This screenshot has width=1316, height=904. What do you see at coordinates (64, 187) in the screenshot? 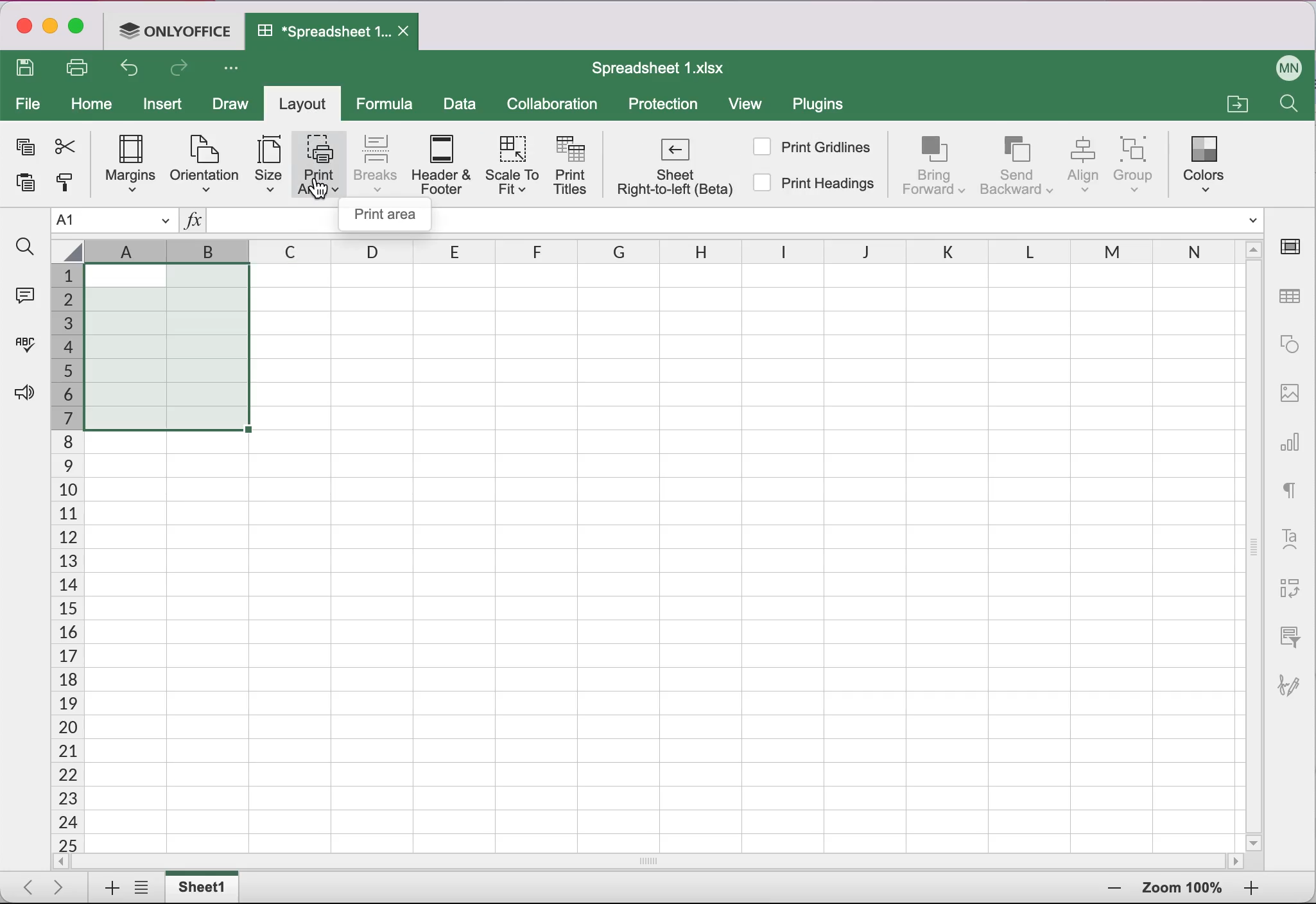
I see `copy style` at bounding box center [64, 187].